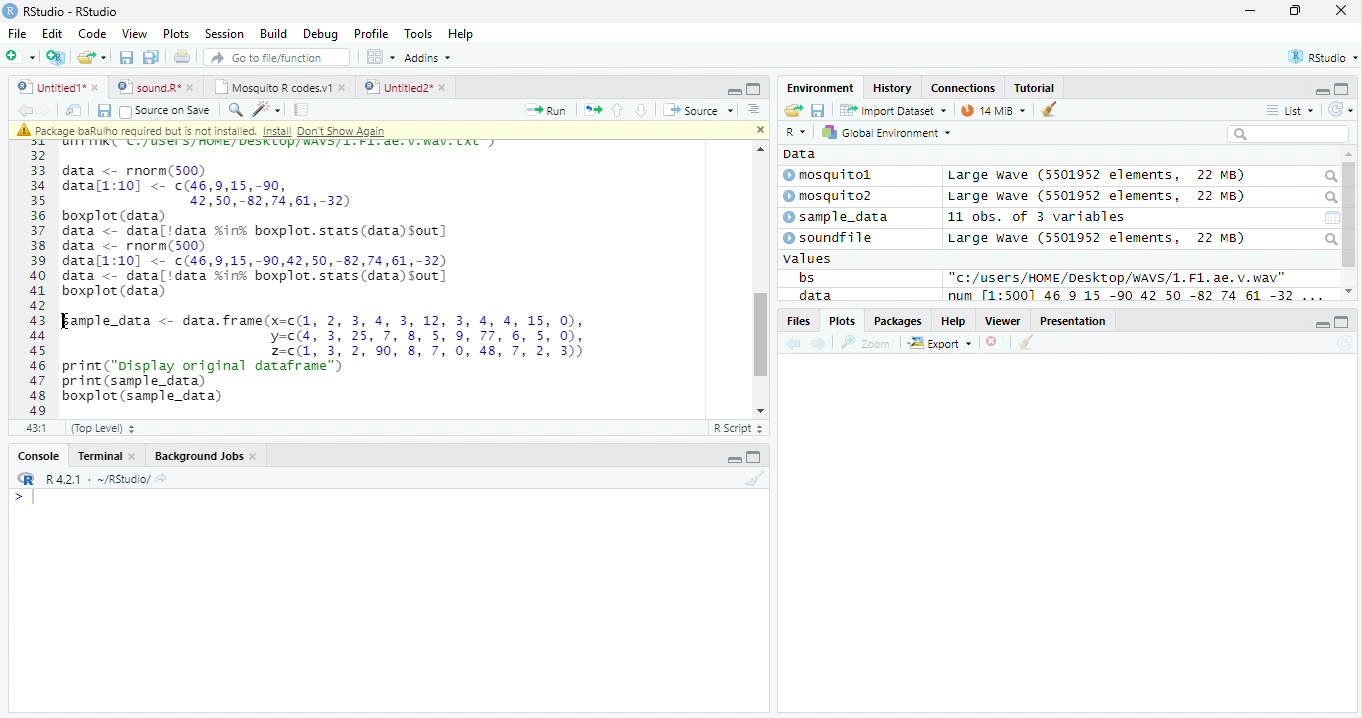  Describe the element at coordinates (756, 410) in the screenshot. I see `scroll down` at that location.